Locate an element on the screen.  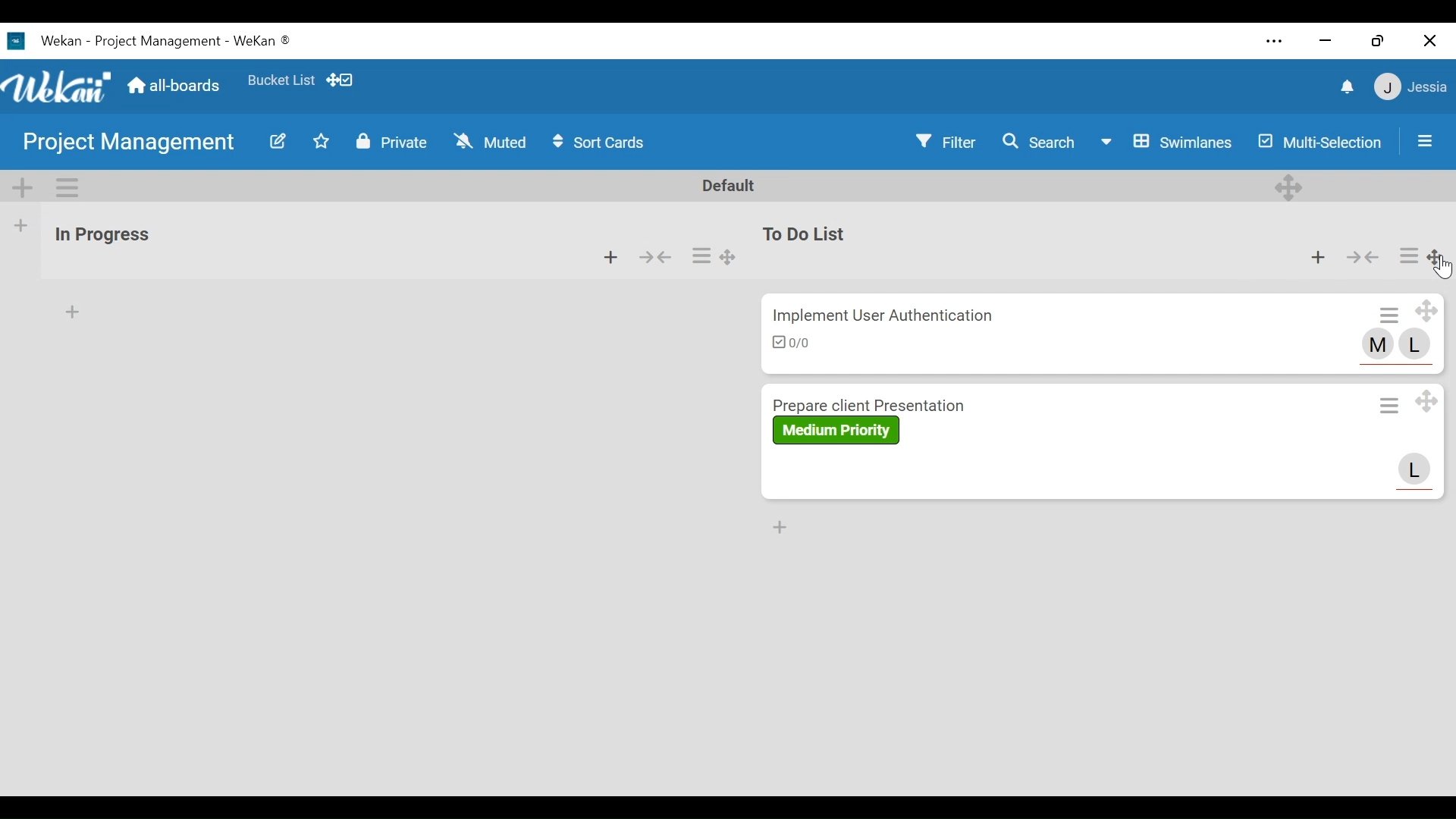
Drag Card is located at coordinates (1426, 310).